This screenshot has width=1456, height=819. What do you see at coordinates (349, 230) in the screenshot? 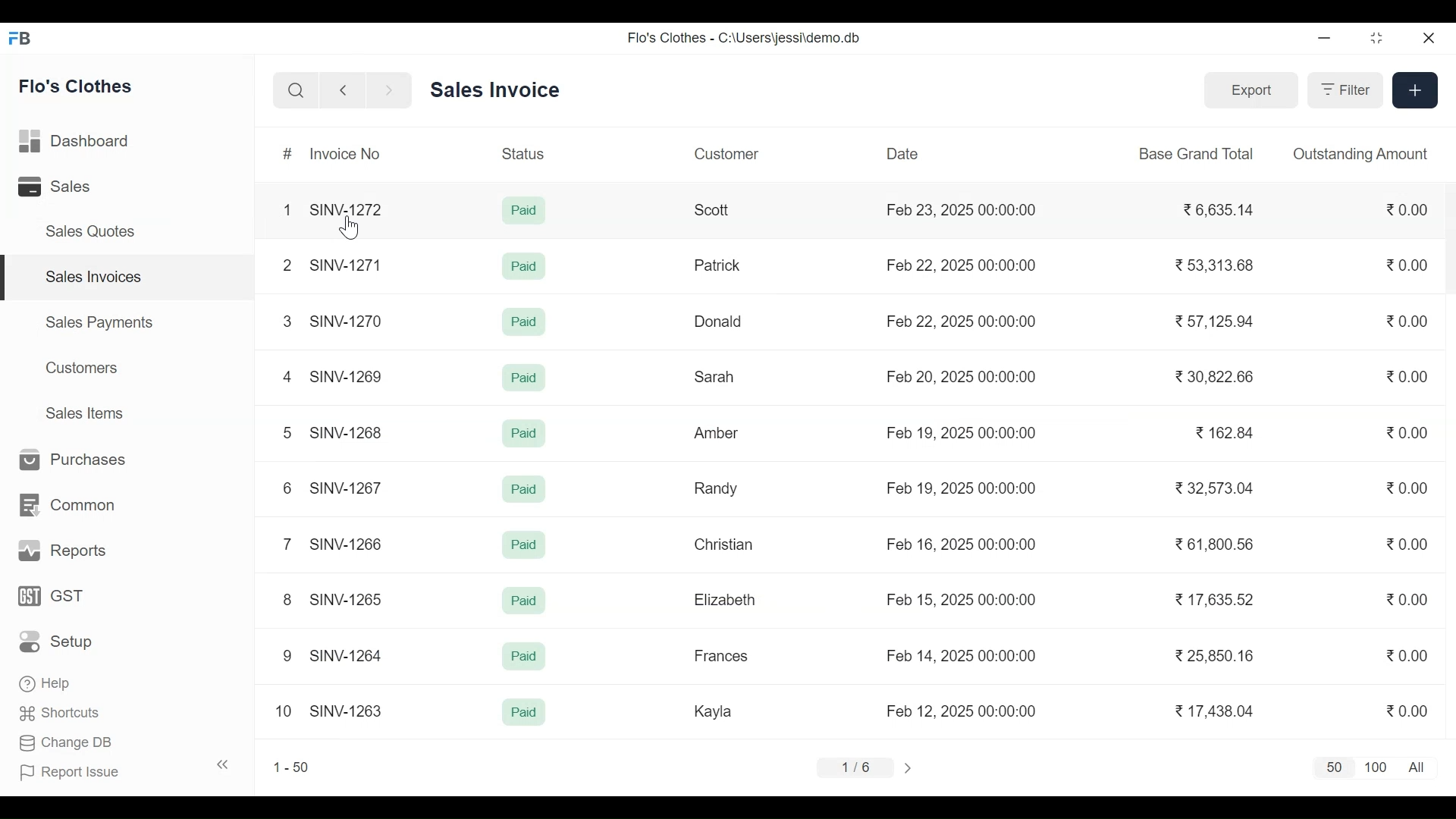
I see `Cursor` at bounding box center [349, 230].